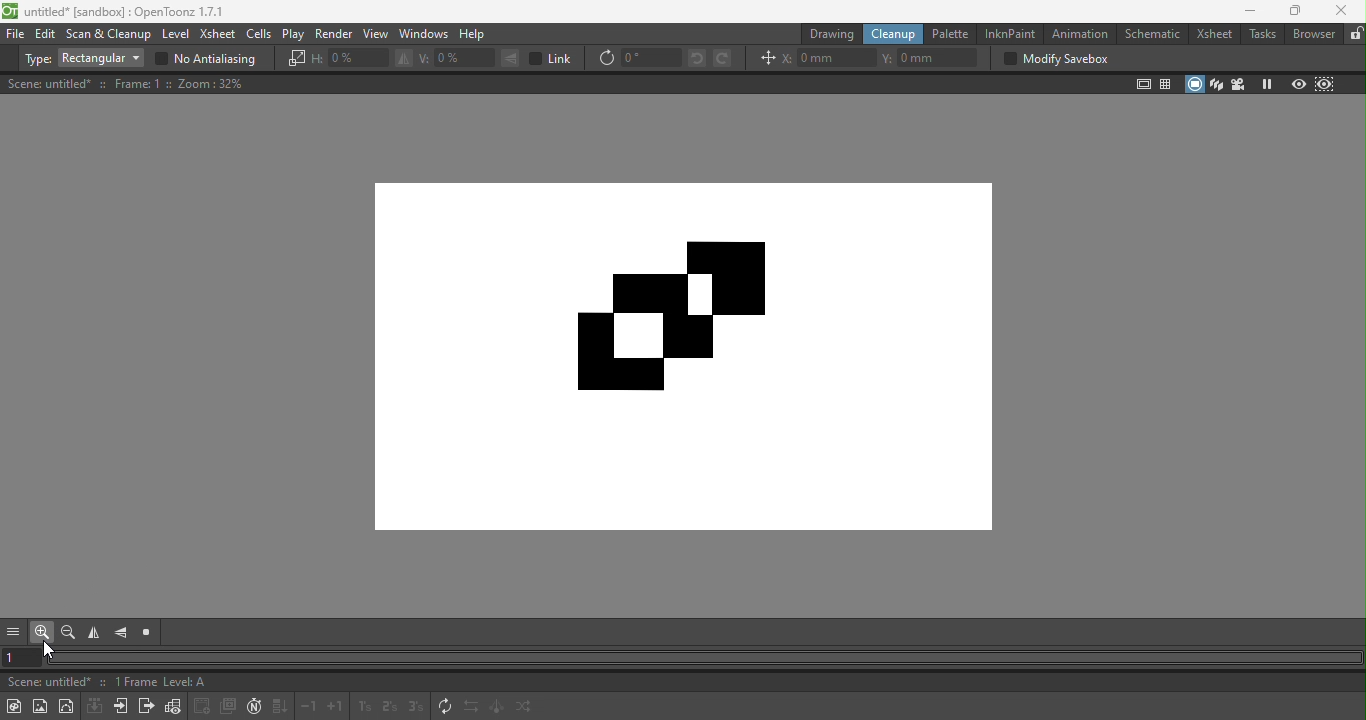  I want to click on Rotation, so click(638, 59).